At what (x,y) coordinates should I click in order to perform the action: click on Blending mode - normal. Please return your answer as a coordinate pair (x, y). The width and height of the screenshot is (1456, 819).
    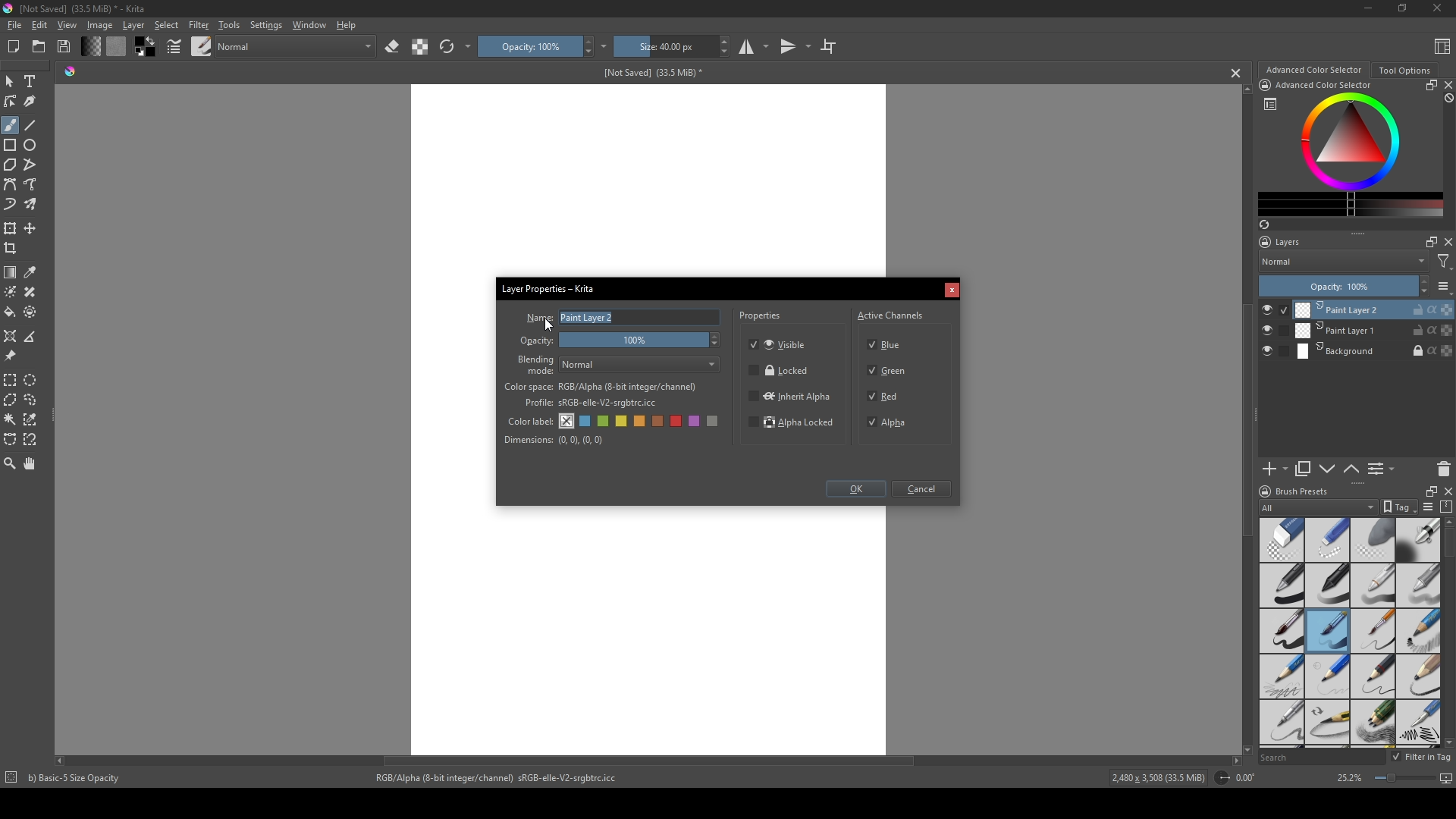
    Looking at the image, I should click on (536, 364).